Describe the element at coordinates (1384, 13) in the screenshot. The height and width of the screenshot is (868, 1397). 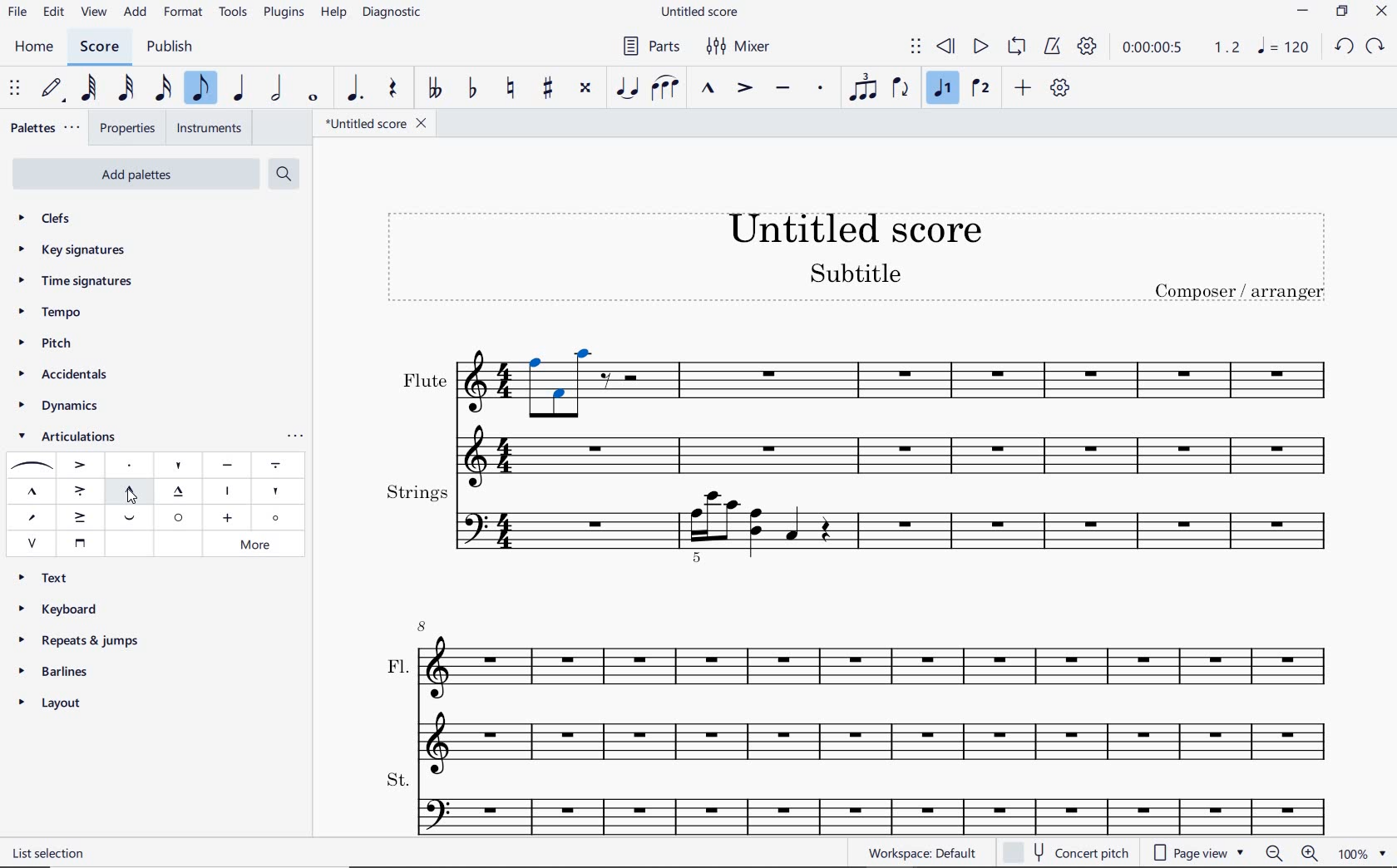
I see `close` at that location.